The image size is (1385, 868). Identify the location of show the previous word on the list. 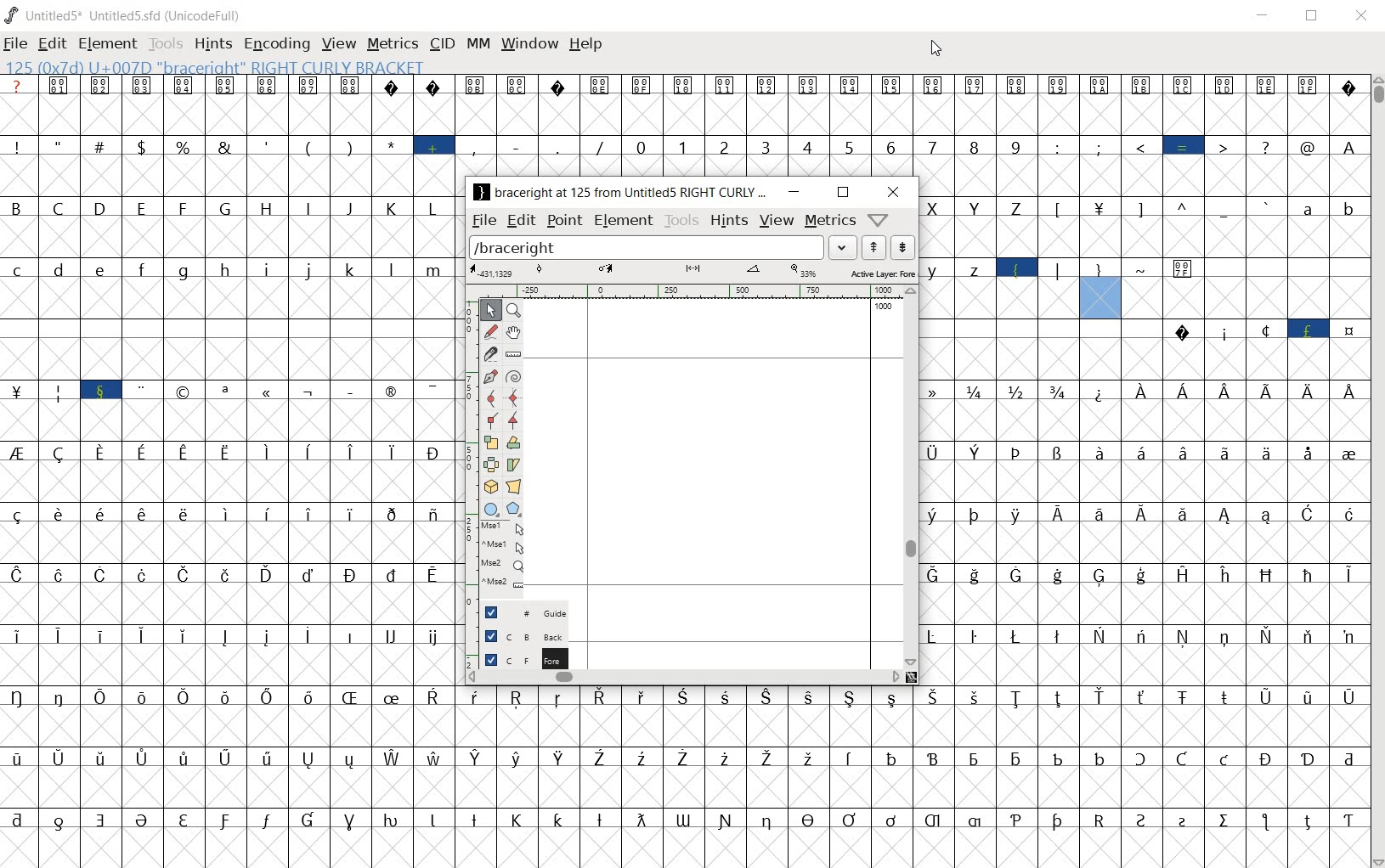
(902, 247).